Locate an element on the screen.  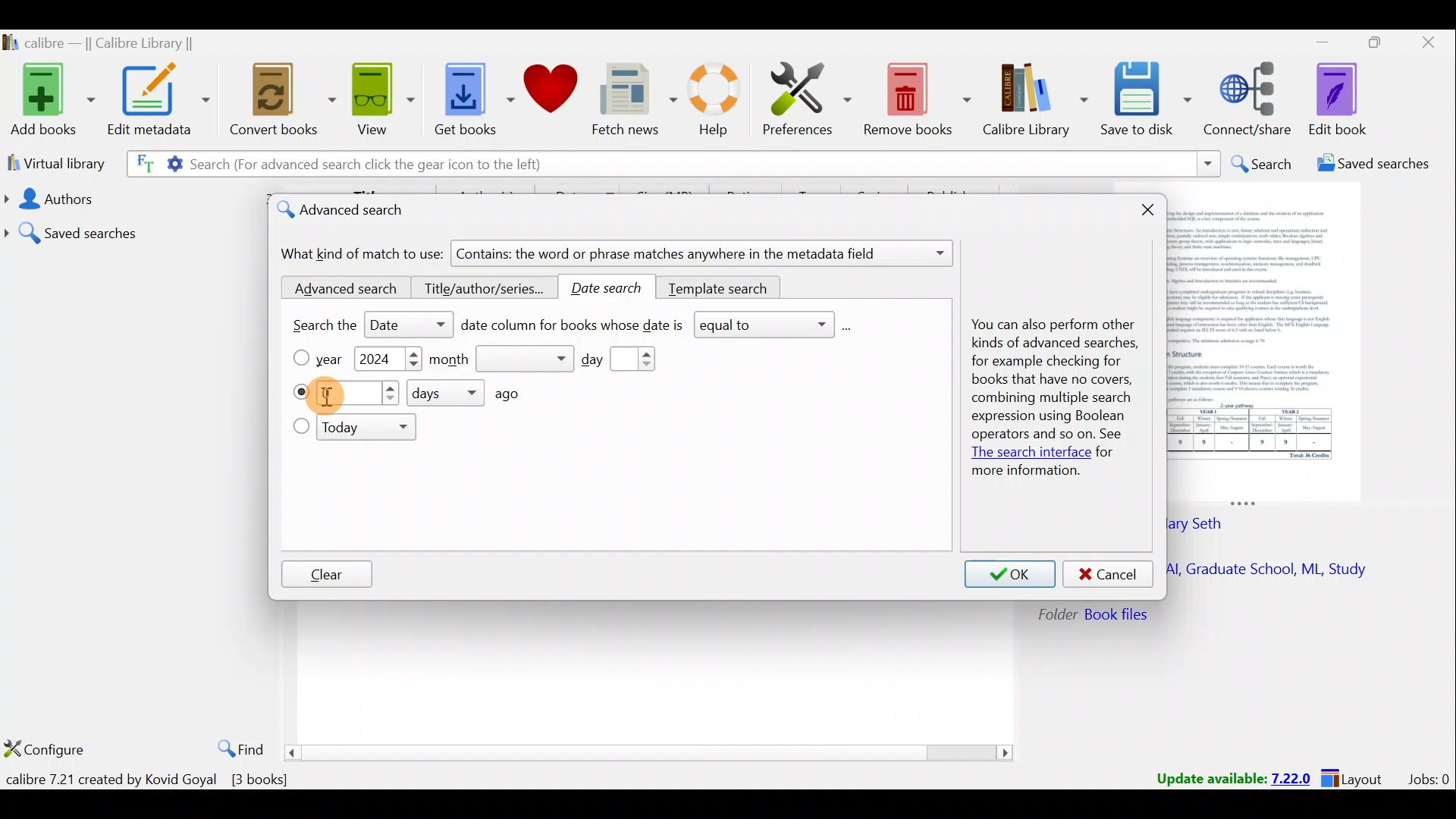
Search is located at coordinates (1260, 164).